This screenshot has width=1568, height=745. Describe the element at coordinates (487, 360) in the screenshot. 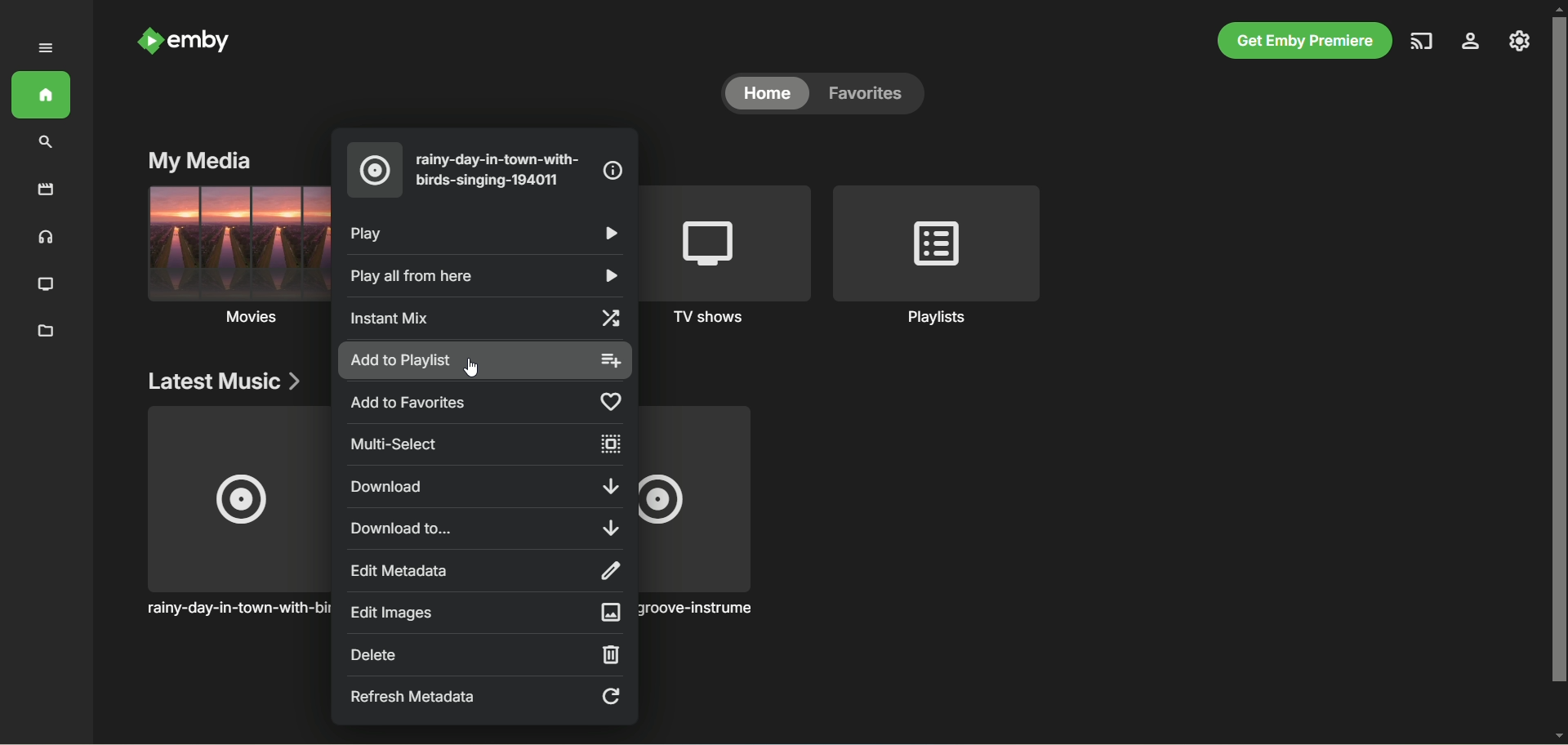

I see `add to playlist` at that location.